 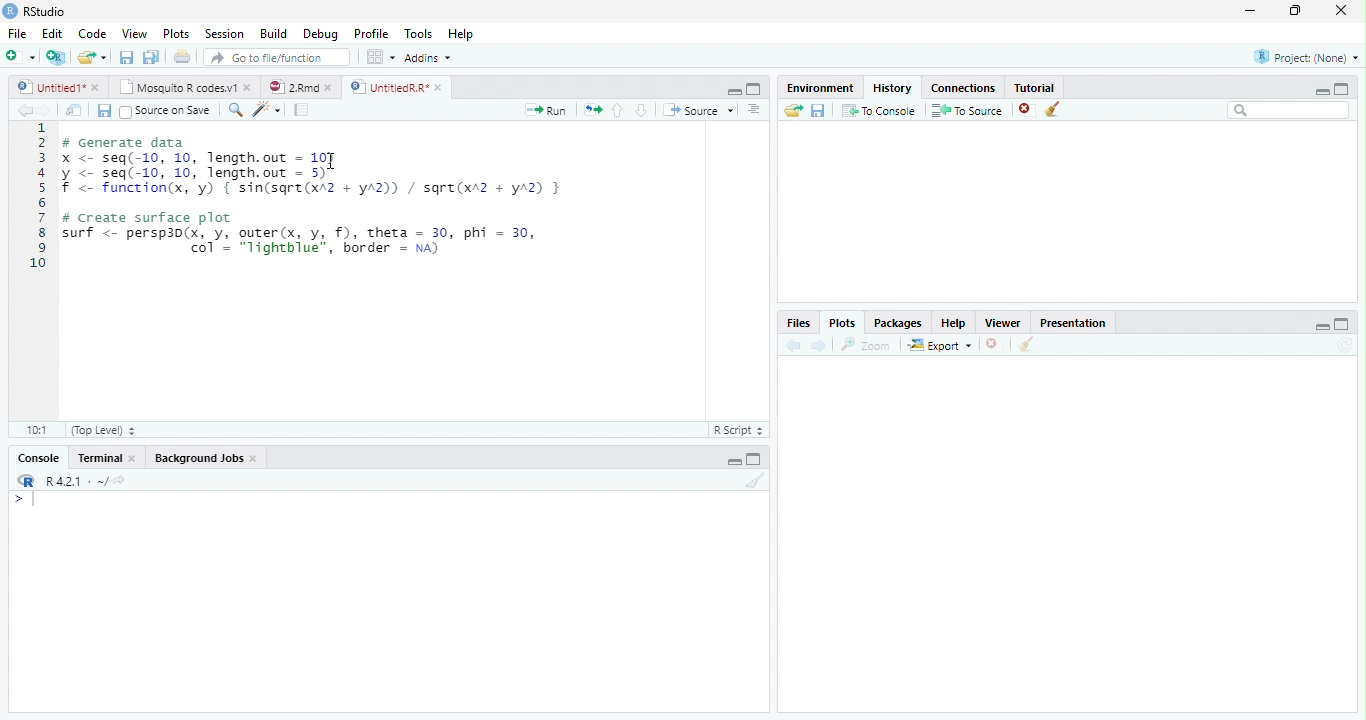 What do you see at coordinates (1026, 110) in the screenshot?
I see `Remove the selected history entries` at bounding box center [1026, 110].